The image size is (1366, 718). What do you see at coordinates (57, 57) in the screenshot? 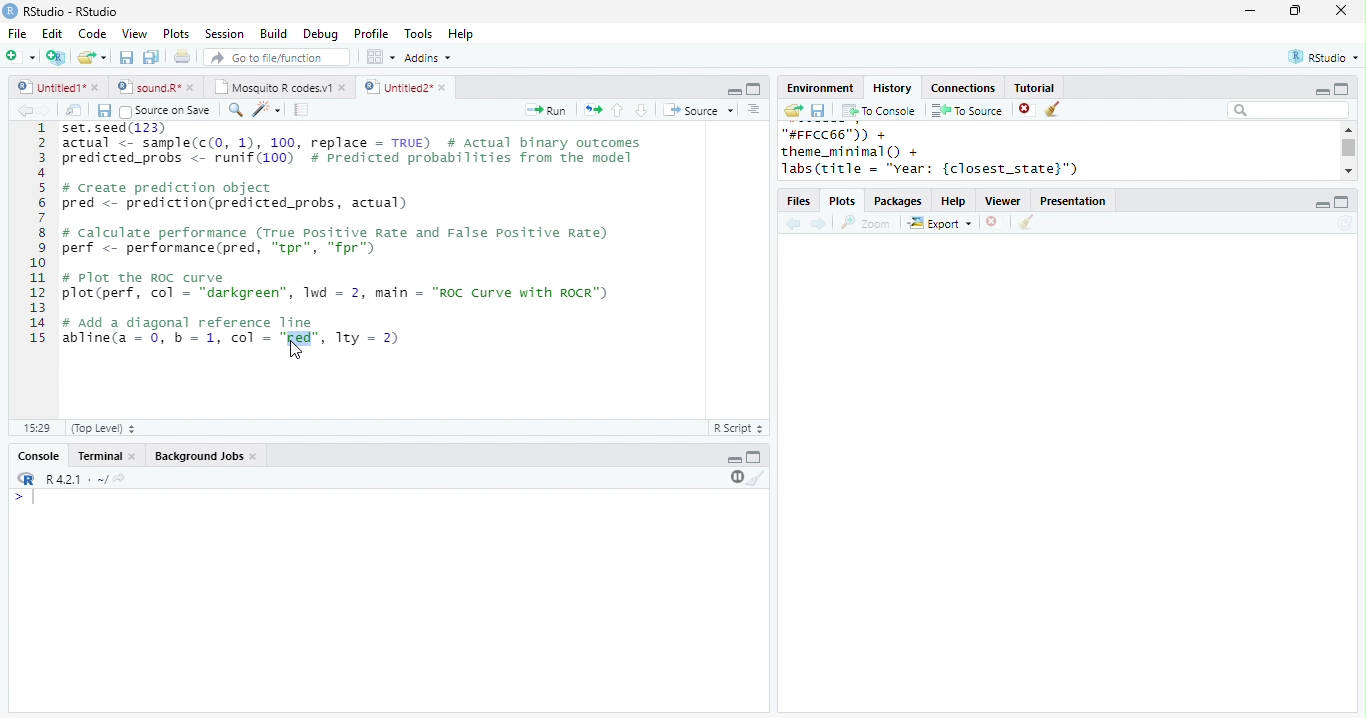
I see `new project` at bounding box center [57, 57].